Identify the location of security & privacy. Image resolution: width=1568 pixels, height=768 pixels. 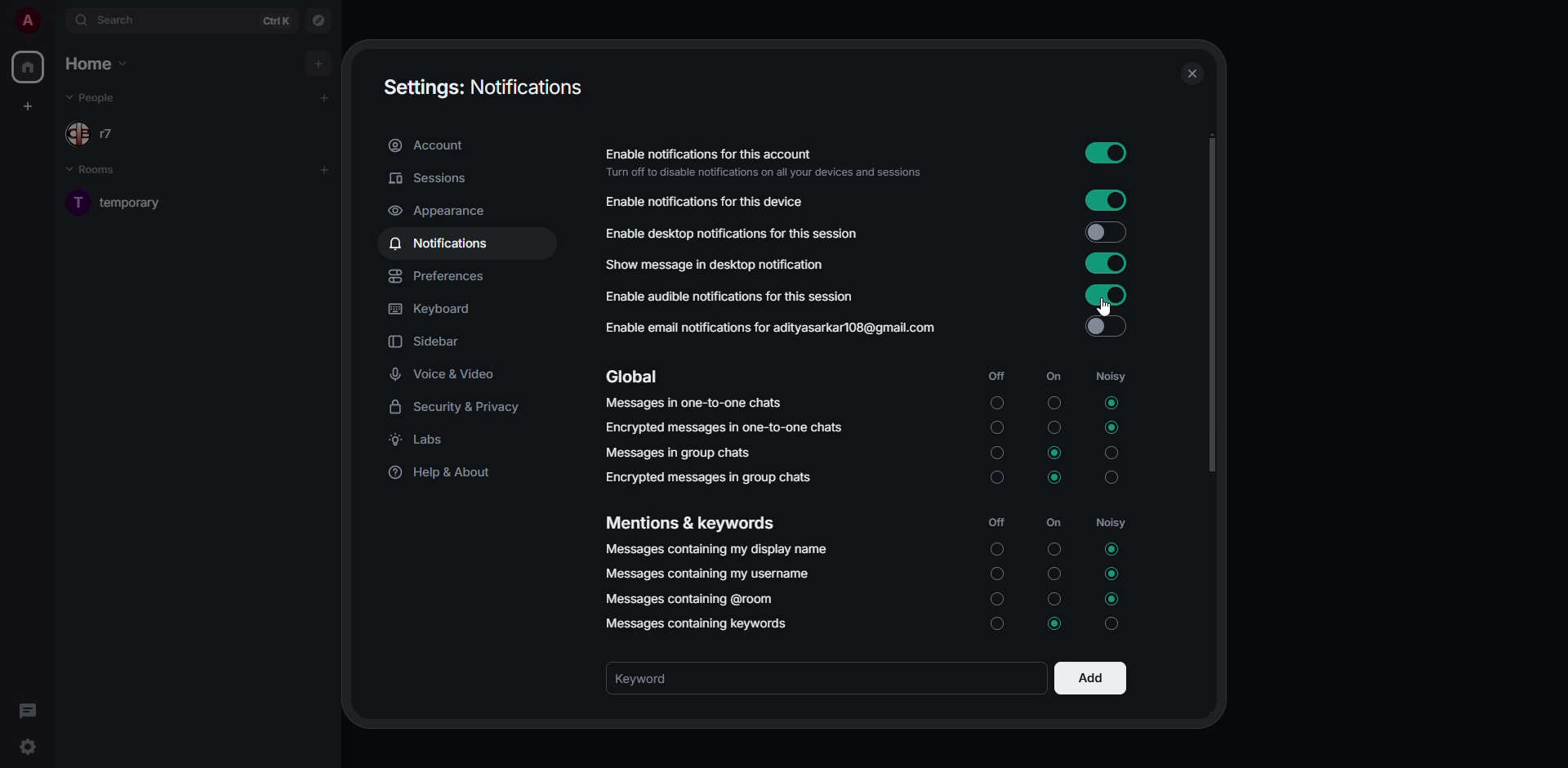
(461, 408).